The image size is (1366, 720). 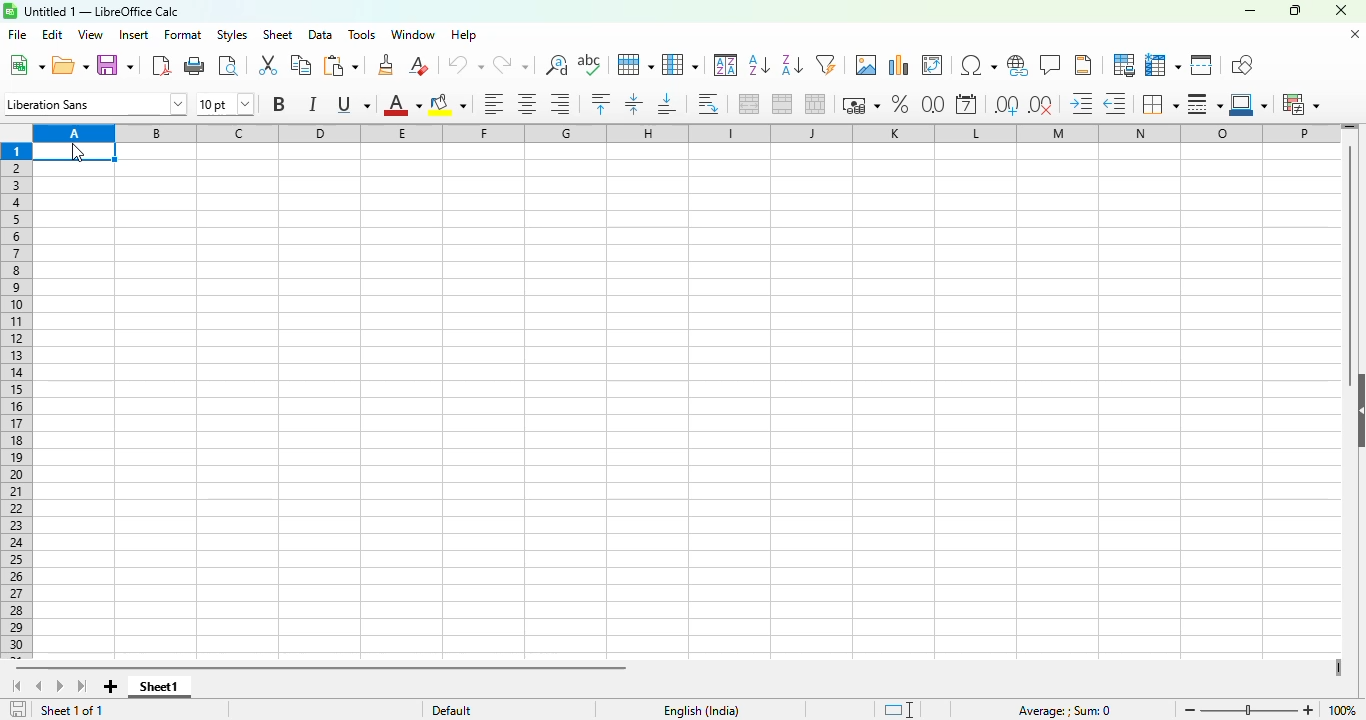 I want to click on cut, so click(x=269, y=65).